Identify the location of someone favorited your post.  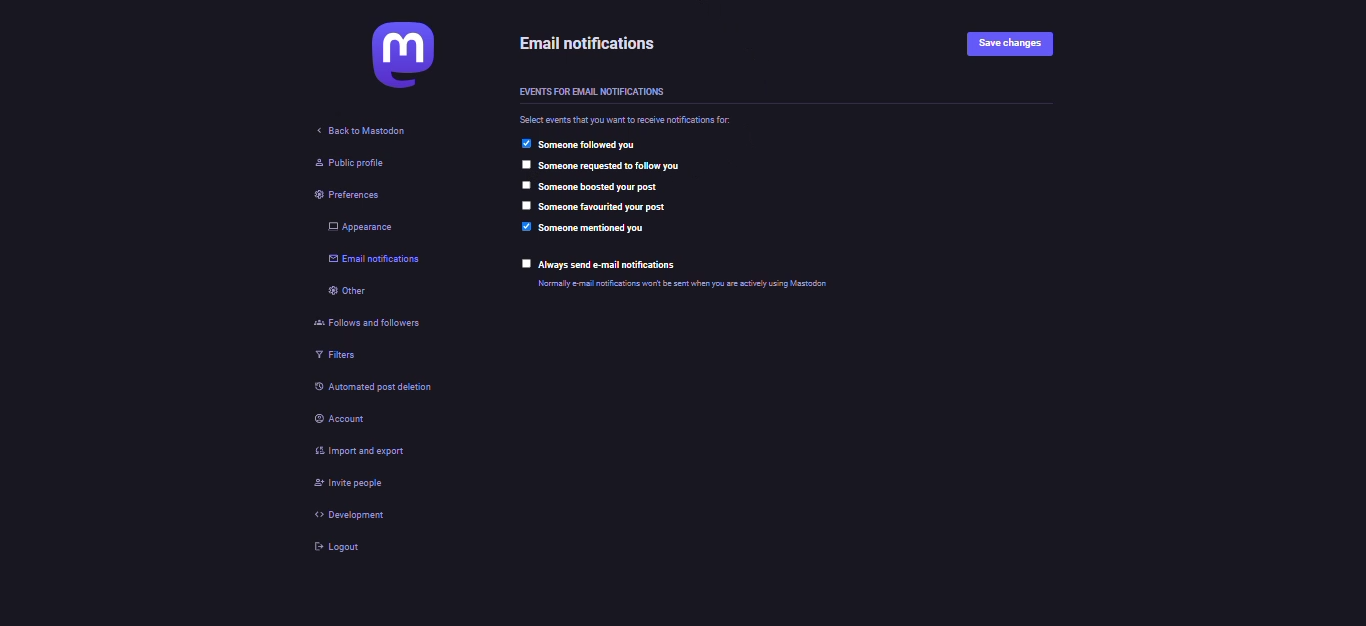
(610, 207).